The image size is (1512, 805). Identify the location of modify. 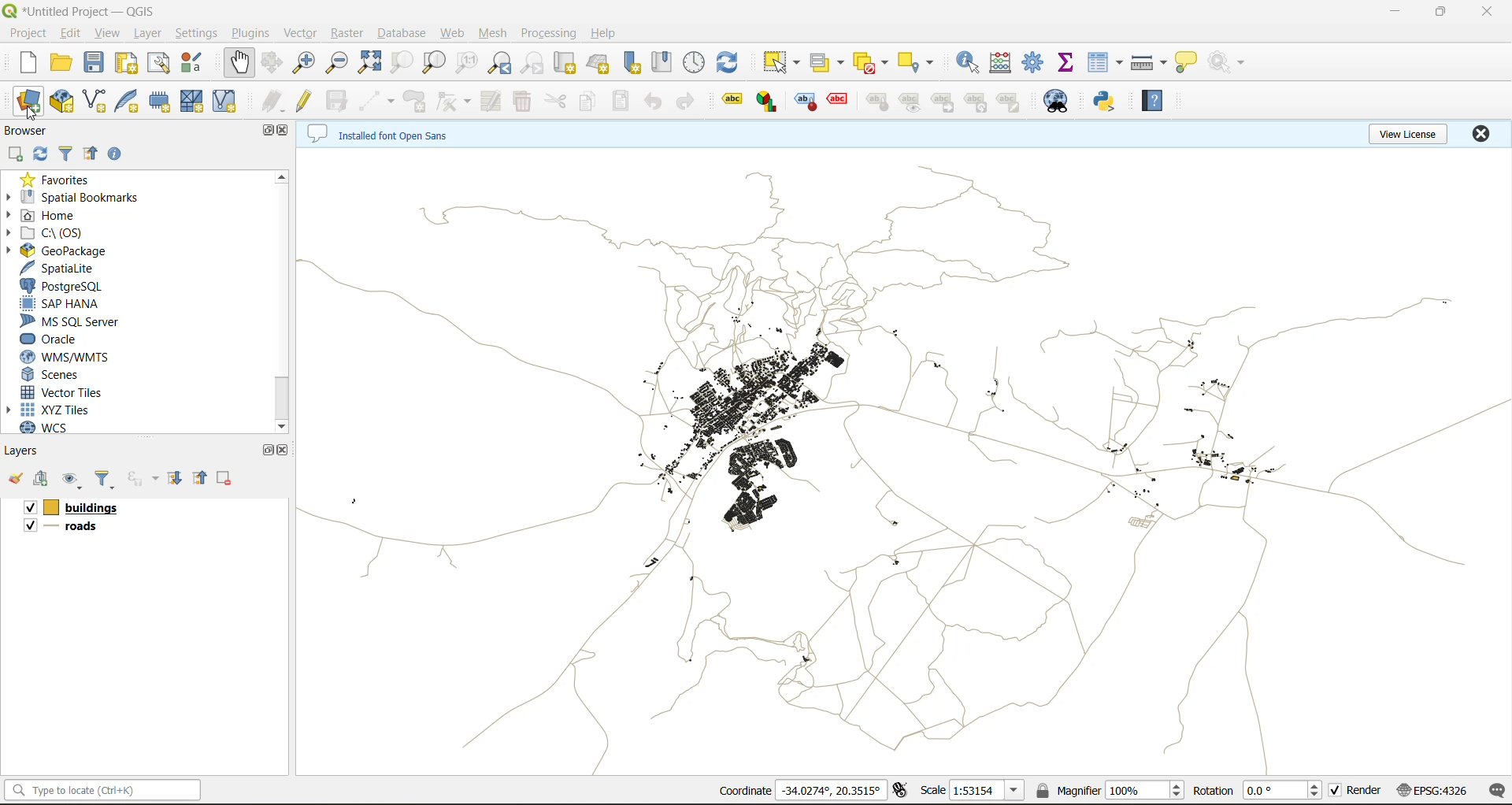
(494, 102).